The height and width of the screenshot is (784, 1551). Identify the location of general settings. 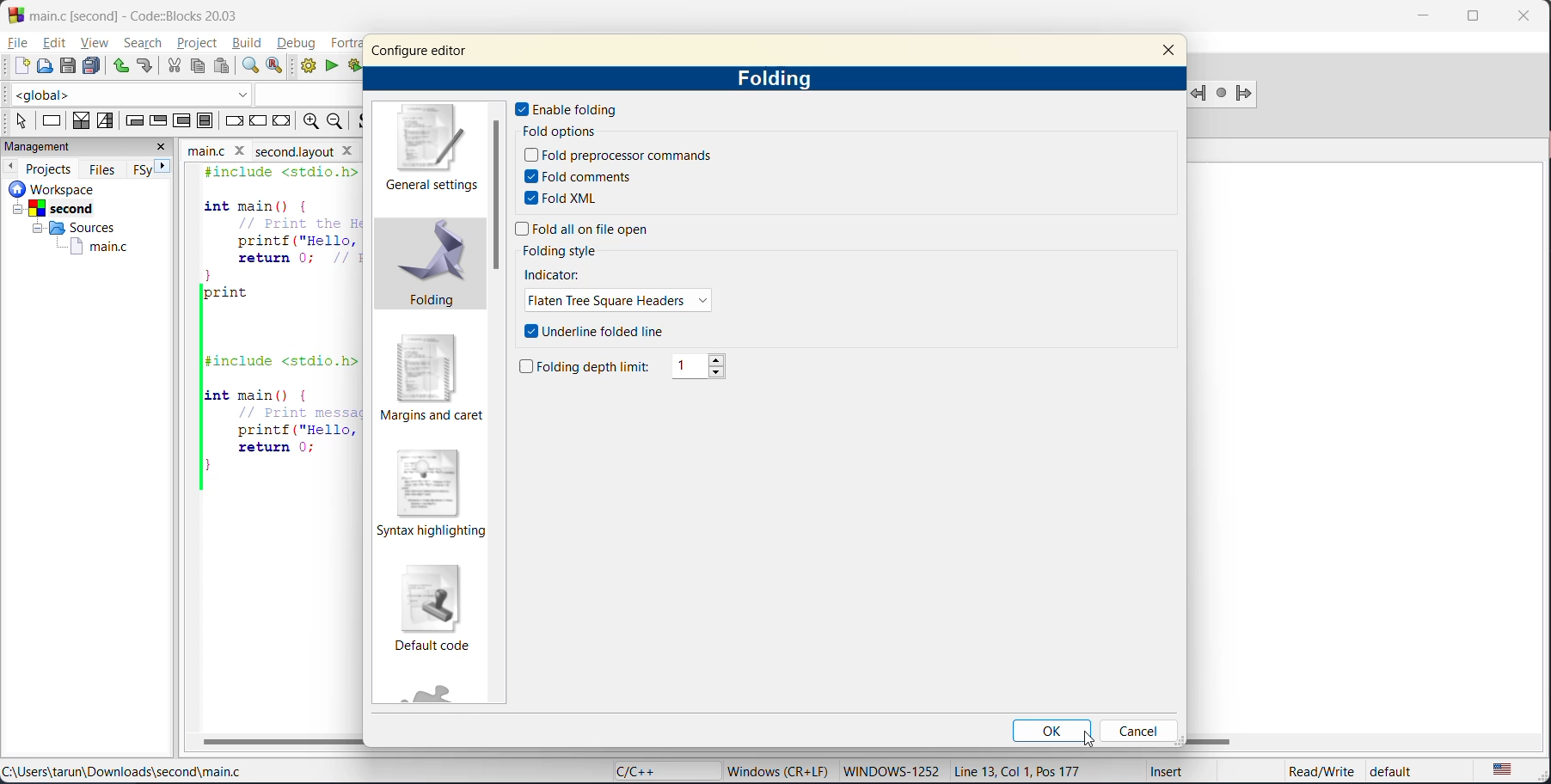
(437, 149).